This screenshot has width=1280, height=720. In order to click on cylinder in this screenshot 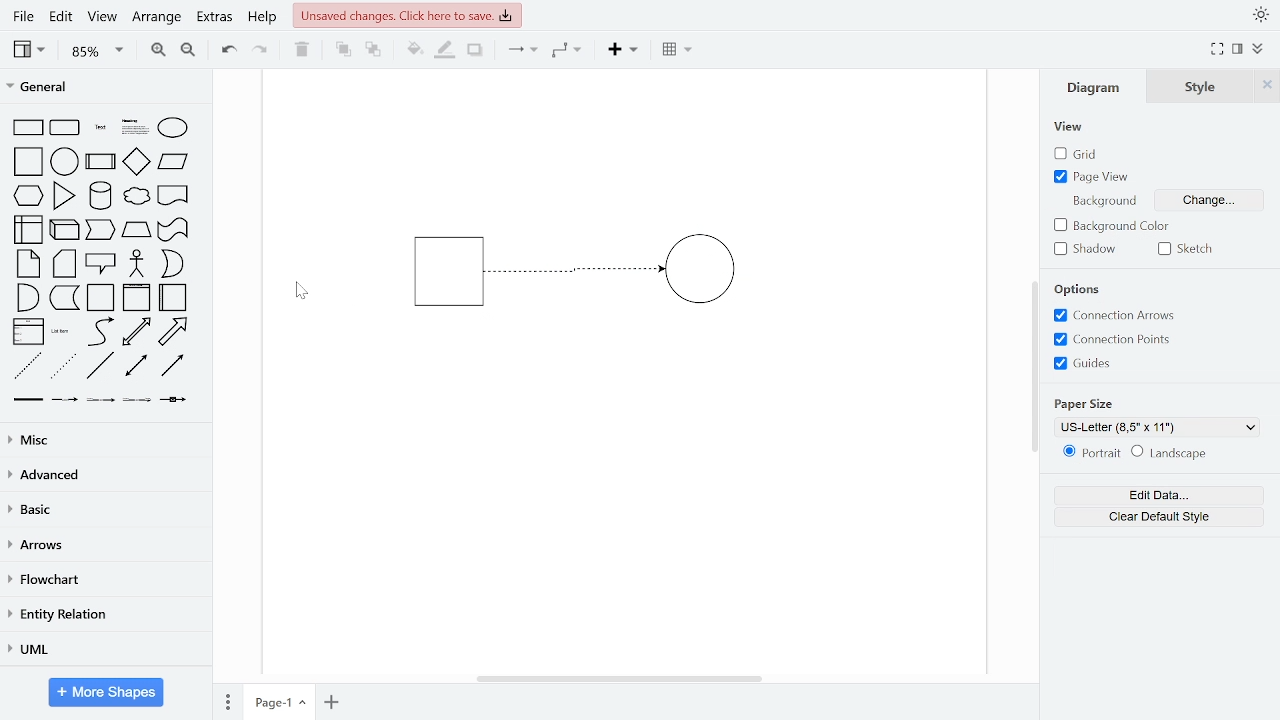, I will do `click(102, 197)`.